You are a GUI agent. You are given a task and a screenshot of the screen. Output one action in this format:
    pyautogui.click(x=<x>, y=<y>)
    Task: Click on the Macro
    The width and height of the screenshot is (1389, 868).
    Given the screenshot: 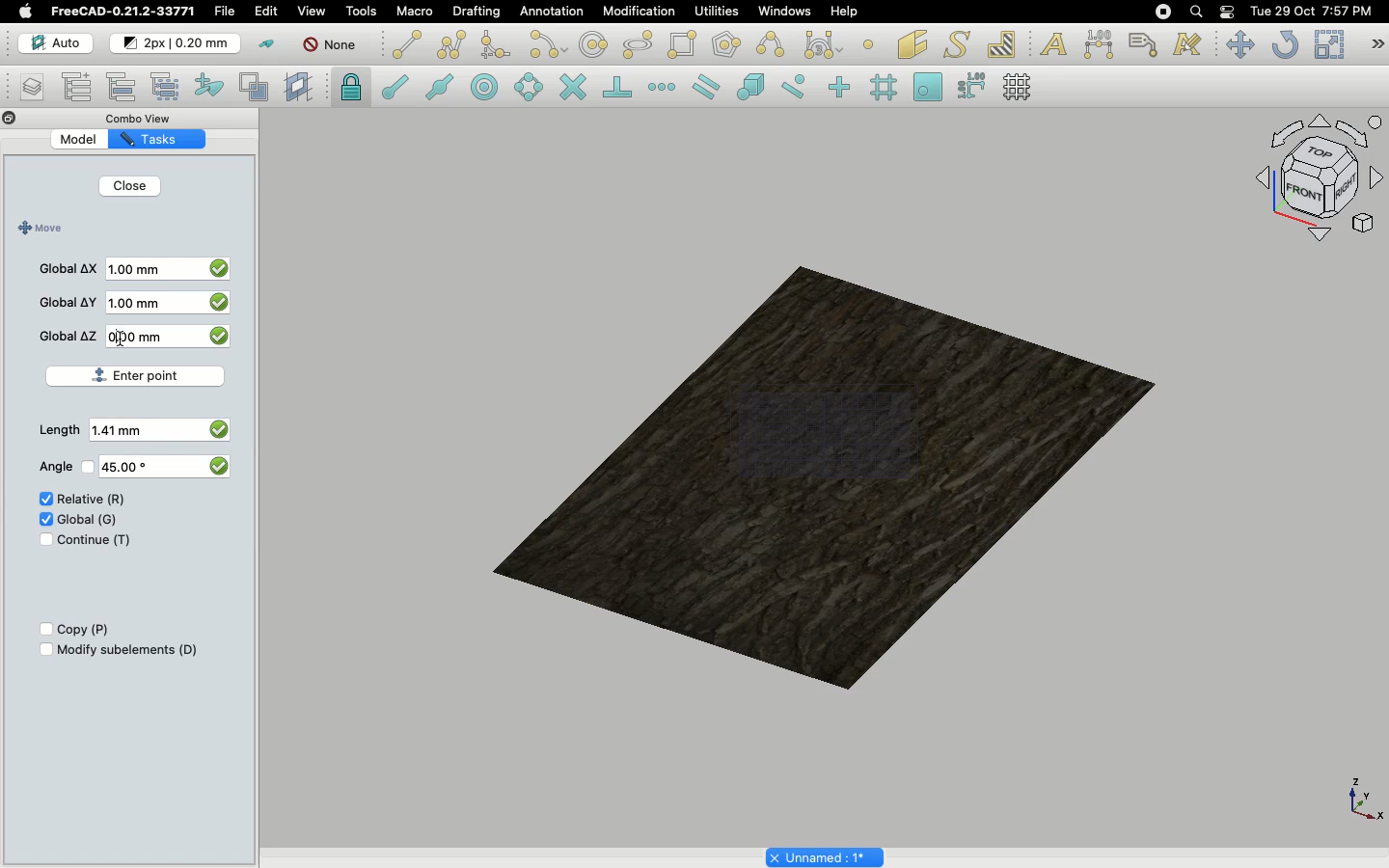 What is the action you would take?
    pyautogui.click(x=416, y=12)
    